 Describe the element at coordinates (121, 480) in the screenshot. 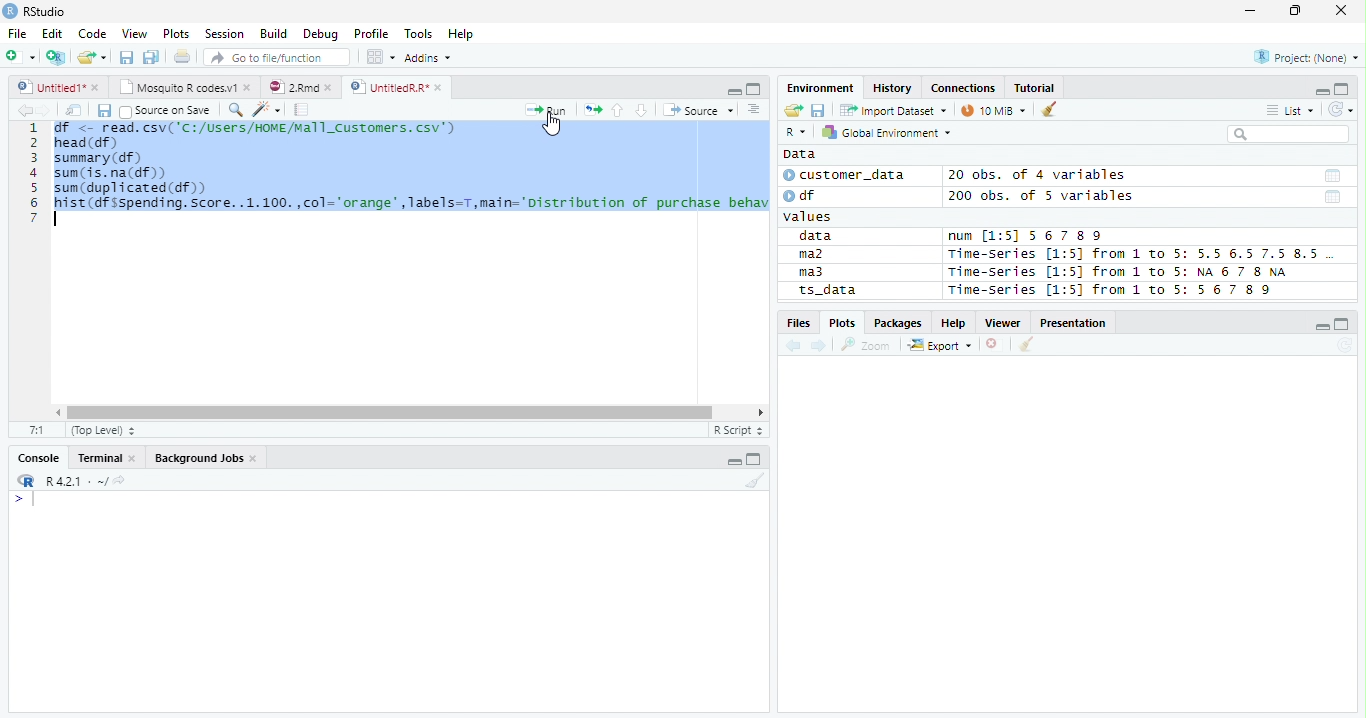

I see `View Current work directory` at that location.